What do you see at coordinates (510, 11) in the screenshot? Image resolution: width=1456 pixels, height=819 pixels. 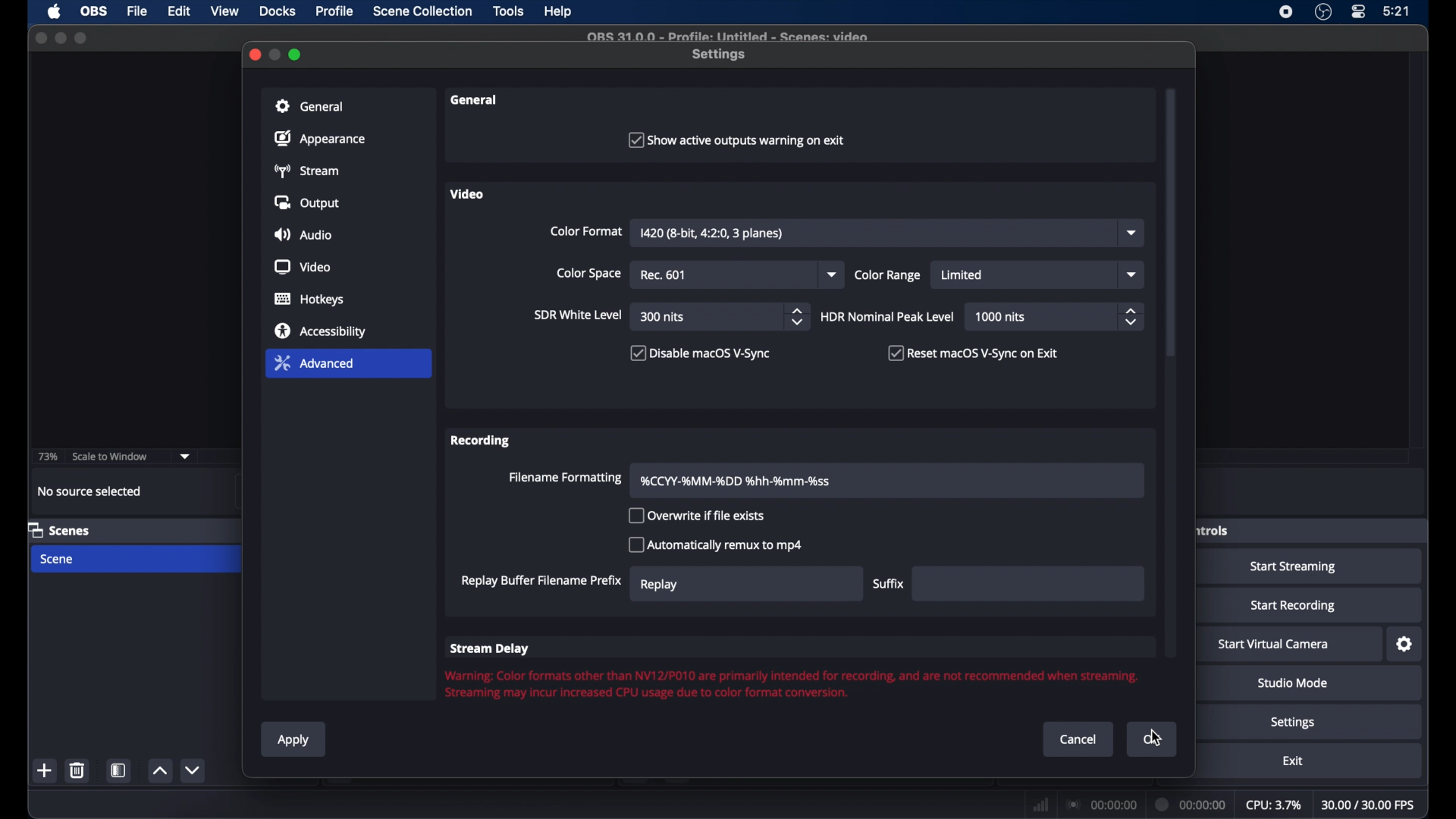 I see `tools` at bounding box center [510, 11].